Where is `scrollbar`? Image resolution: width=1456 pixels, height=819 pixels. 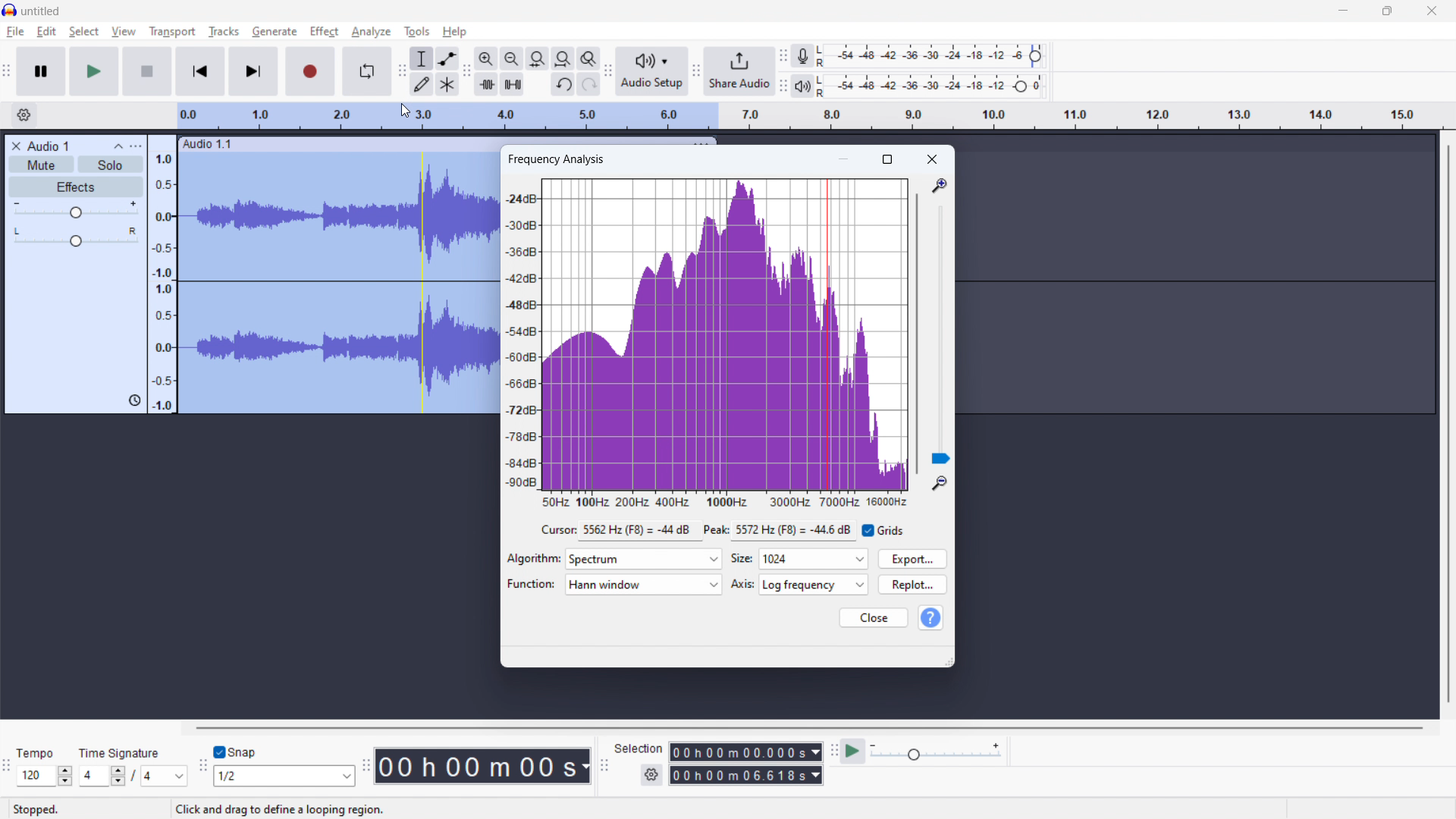 scrollbar is located at coordinates (916, 334).